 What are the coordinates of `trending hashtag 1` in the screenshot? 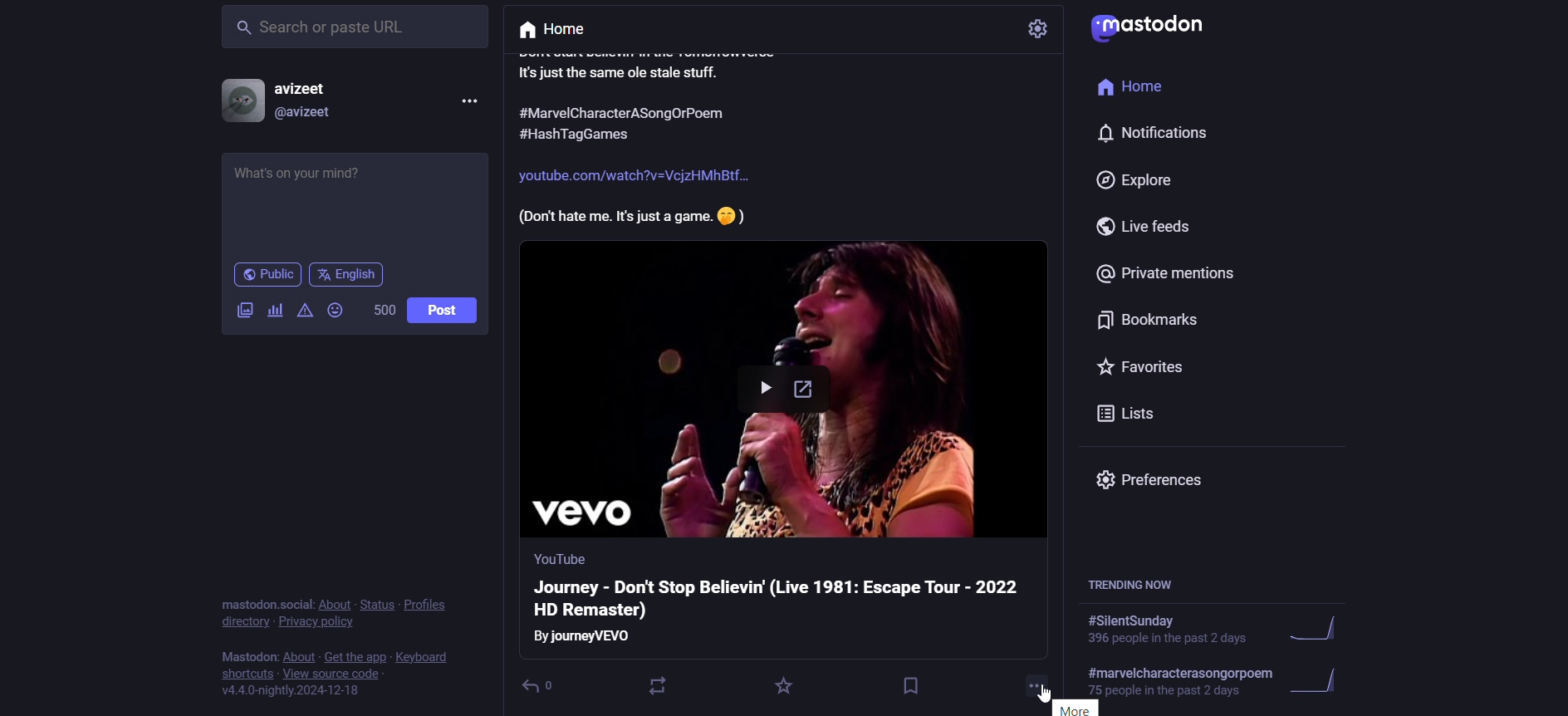 It's located at (1213, 632).